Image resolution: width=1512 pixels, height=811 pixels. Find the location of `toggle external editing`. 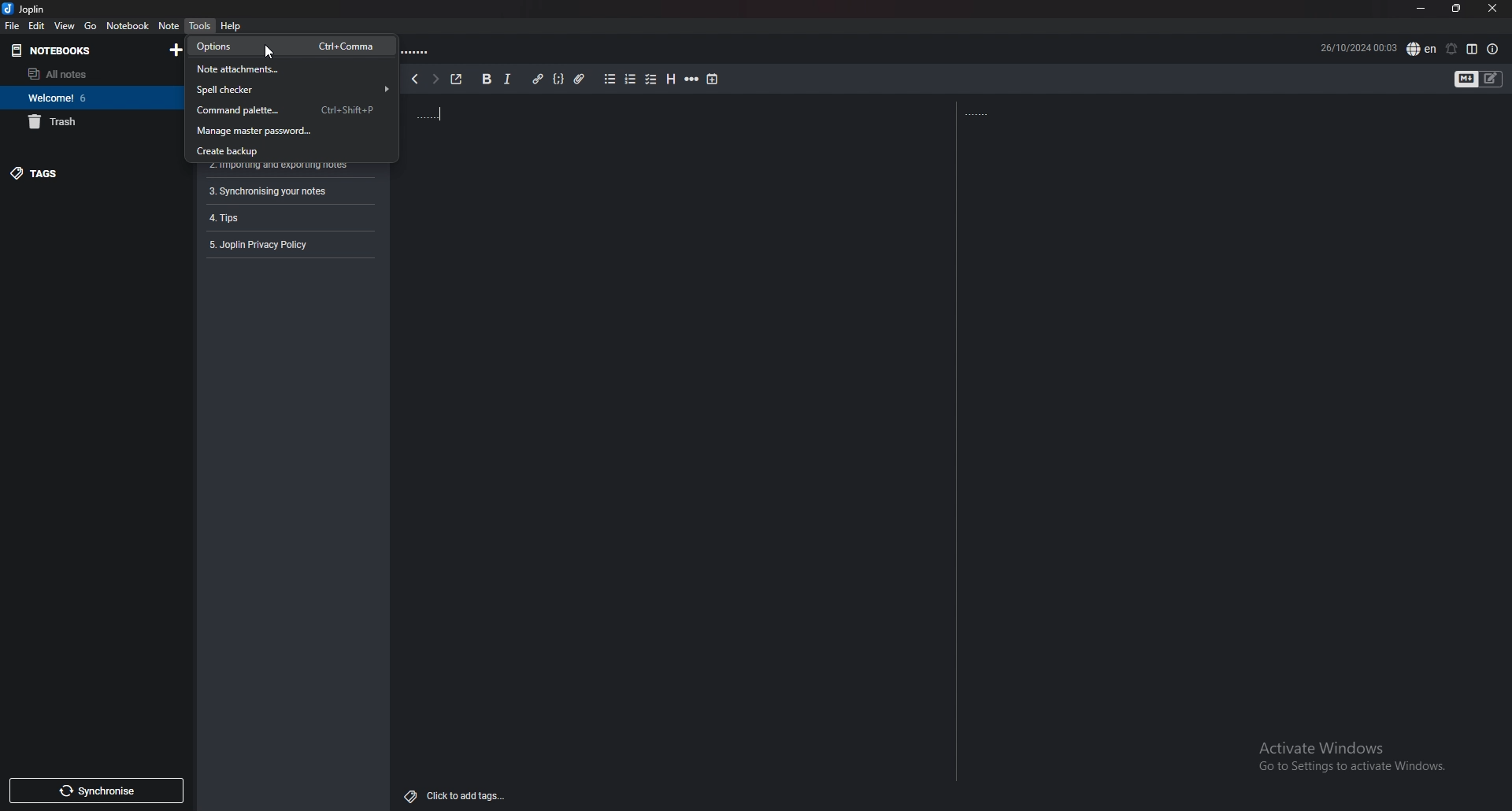

toggle external editing is located at coordinates (457, 80).